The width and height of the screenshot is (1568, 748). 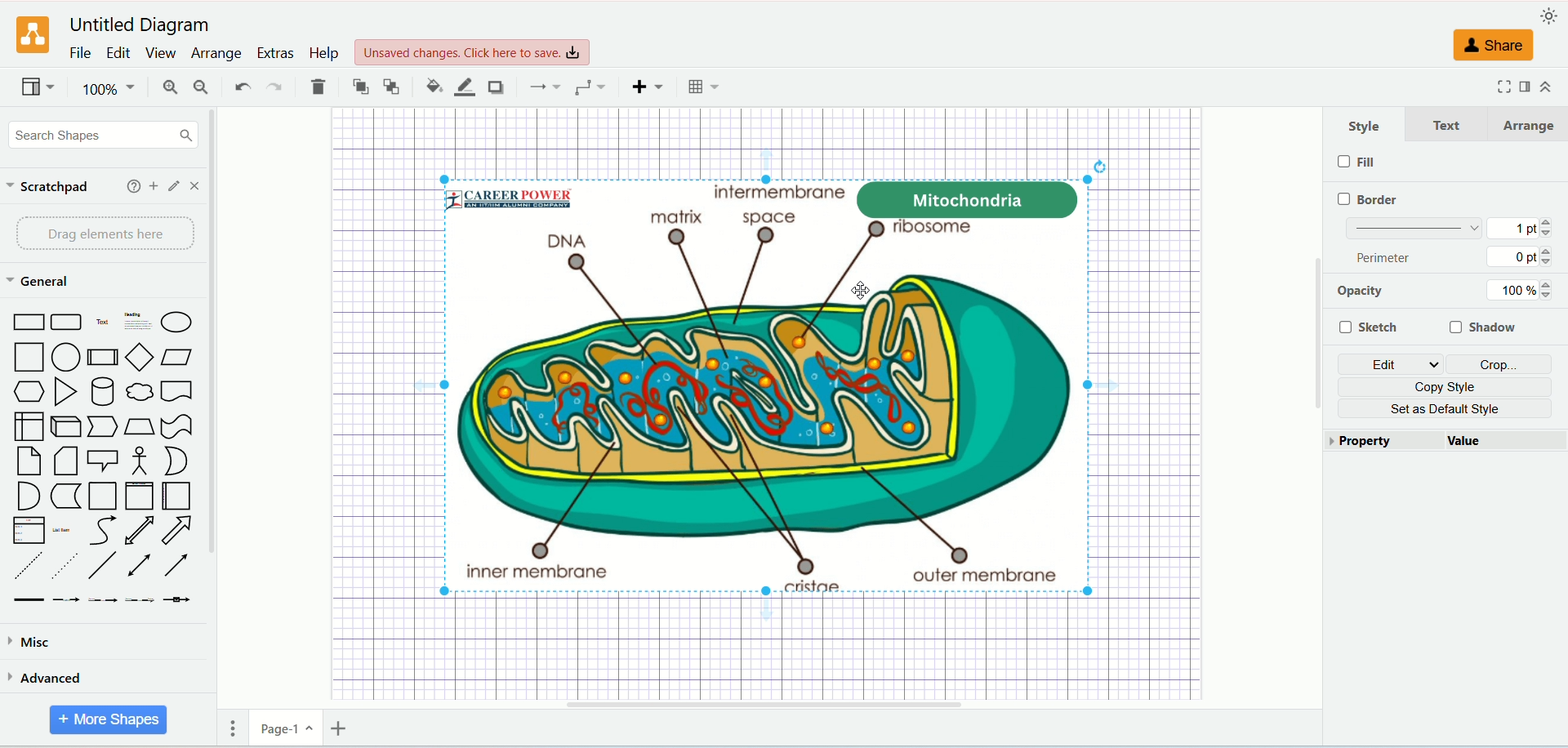 I want to click on add, so click(x=154, y=185).